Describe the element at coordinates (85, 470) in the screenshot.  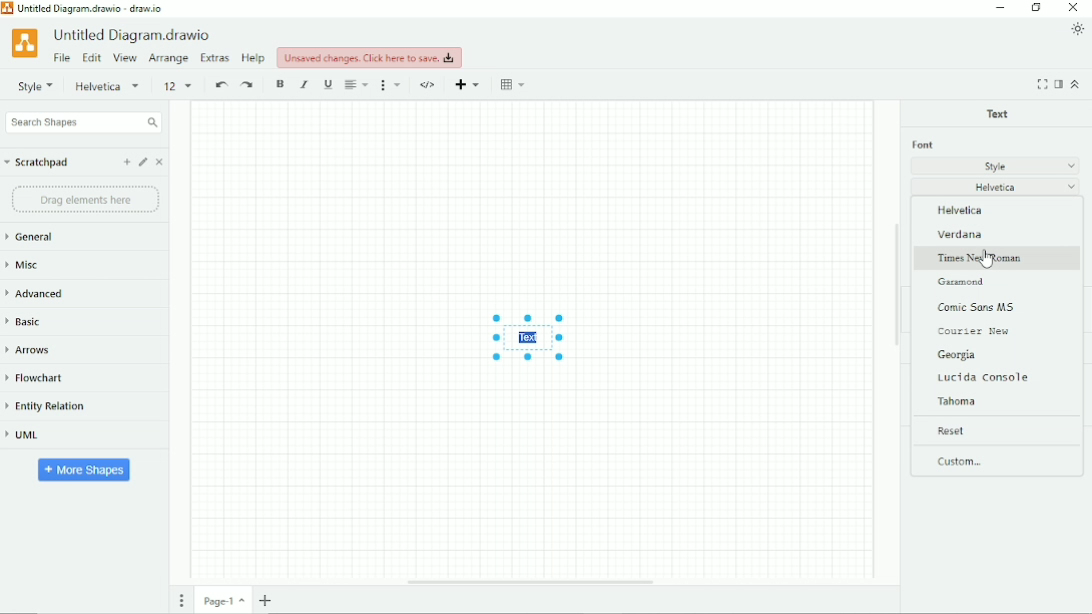
I see `More Shapes` at that location.